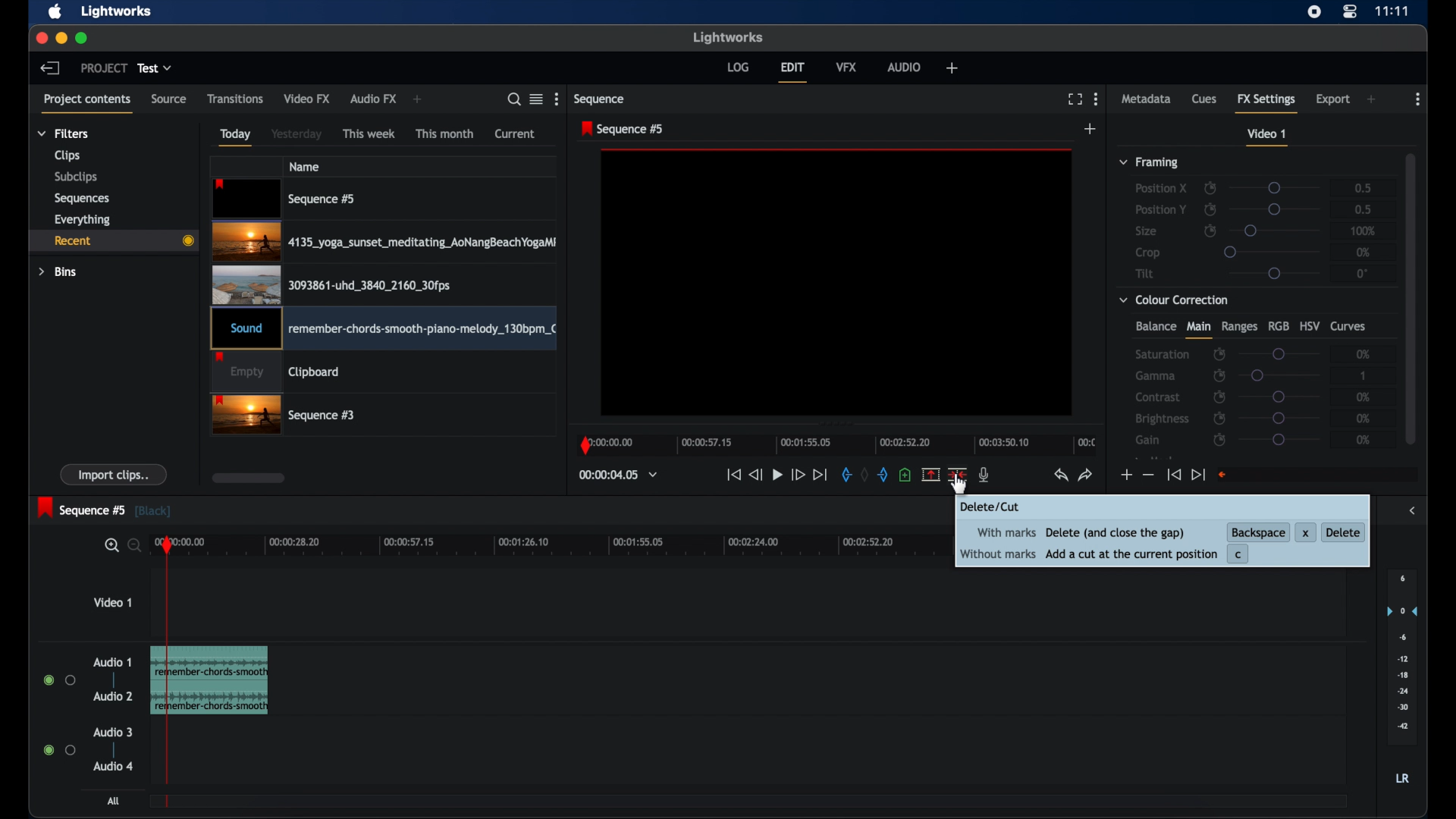 This screenshot has height=819, width=1456. Describe the element at coordinates (1160, 209) in the screenshot. I see `position y` at that location.